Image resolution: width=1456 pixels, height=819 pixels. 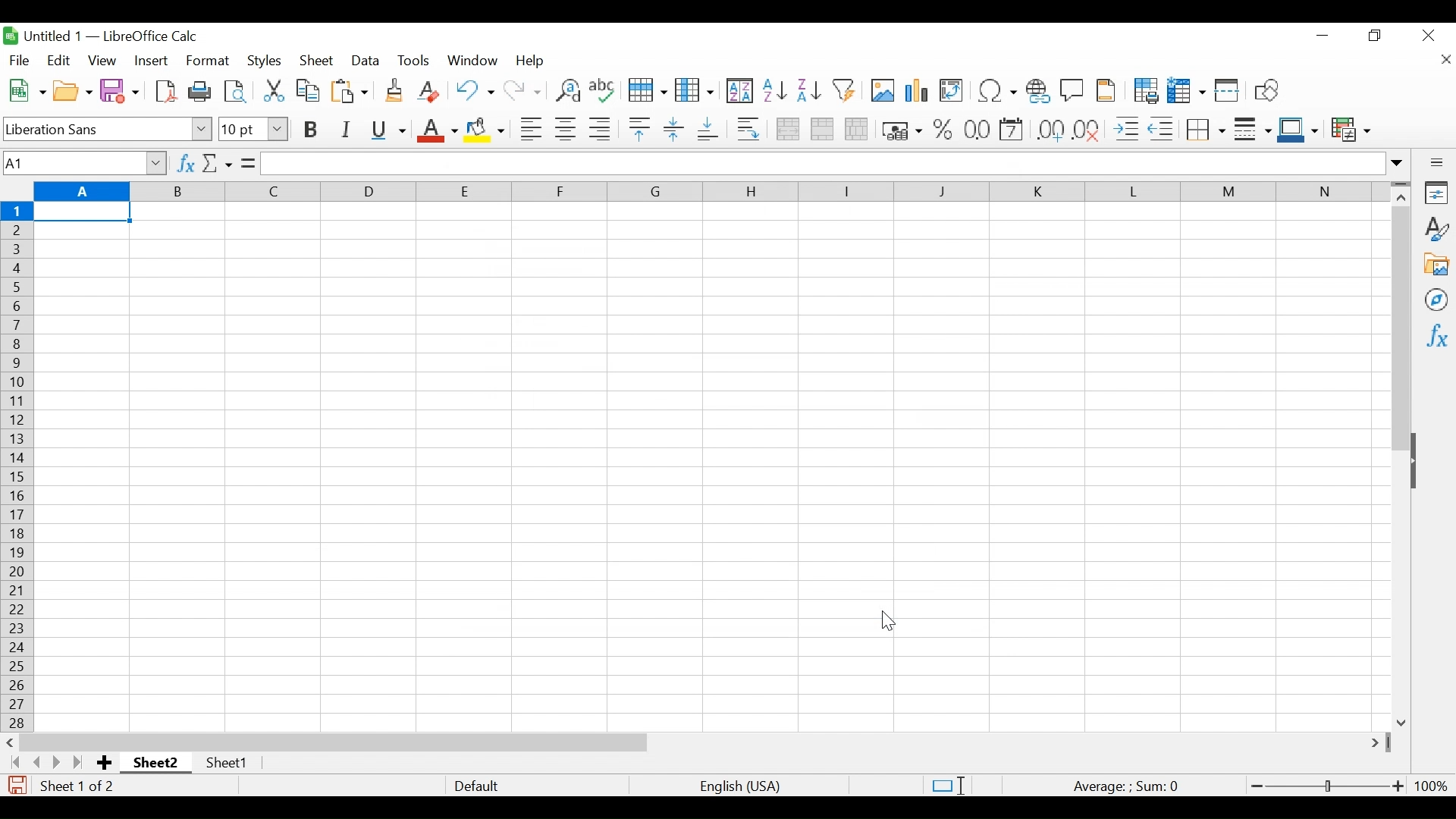 What do you see at coordinates (1186, 90) in the screenshot?
I see `Freeze Rows and Columns` at bounding box center [1186, 90].